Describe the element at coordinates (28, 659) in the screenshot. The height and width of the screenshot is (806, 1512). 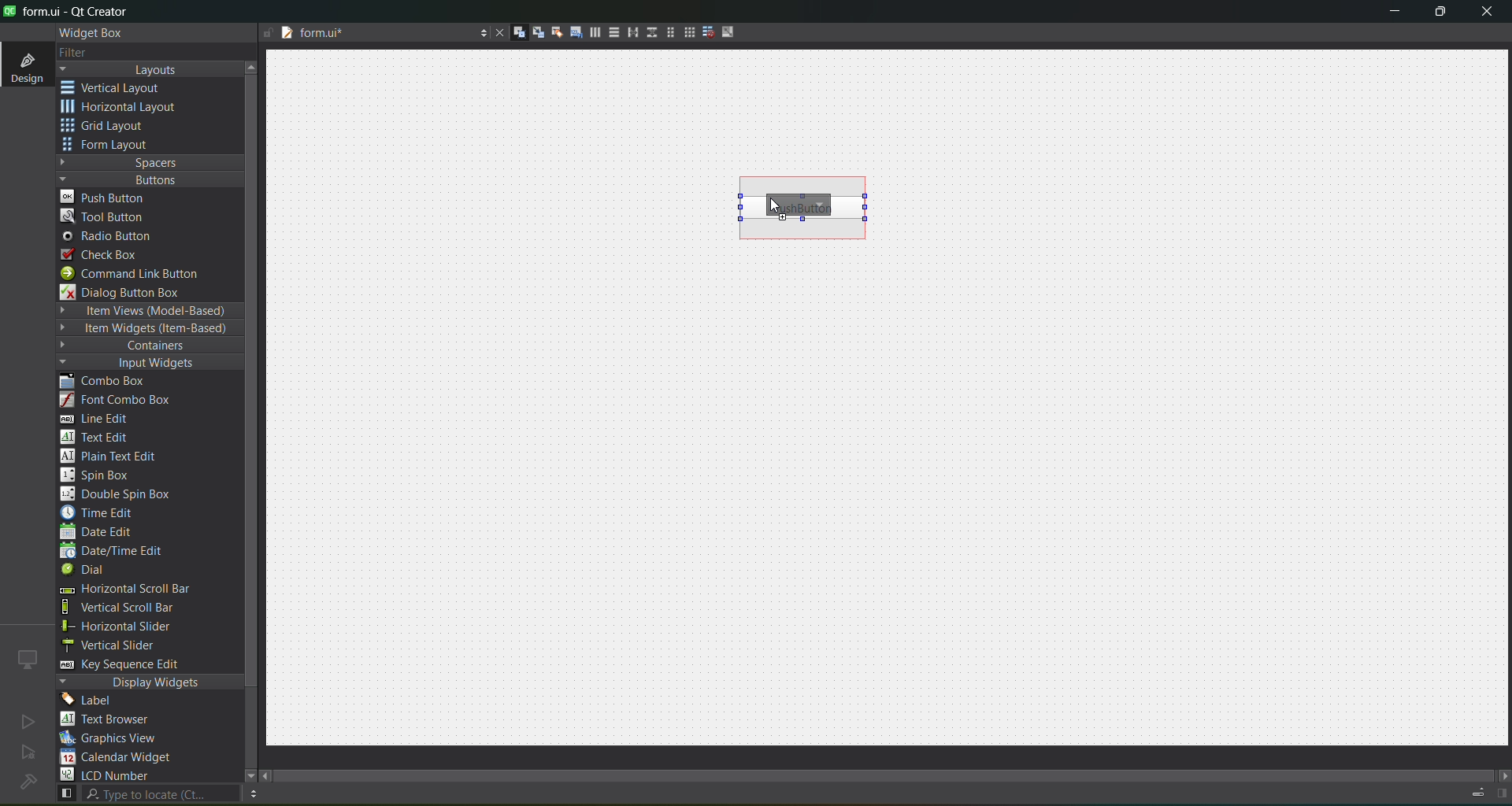
I see `icon` at that location.